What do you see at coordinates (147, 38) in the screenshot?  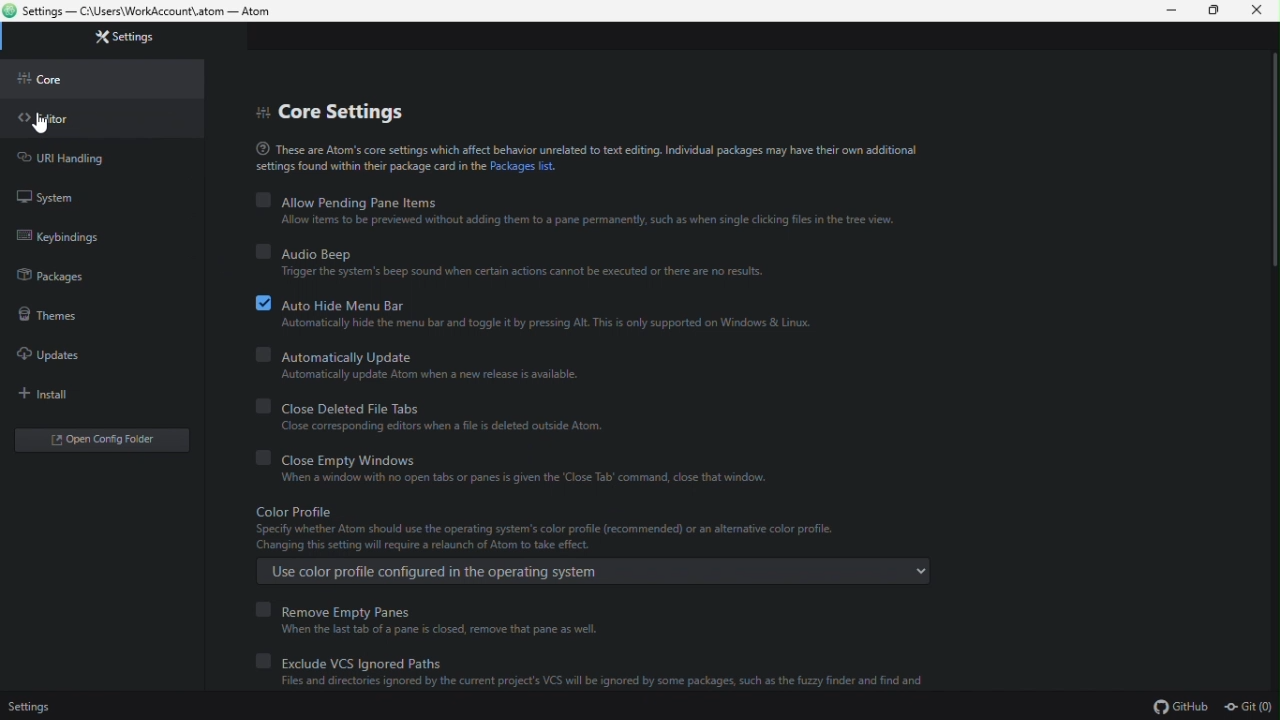 I see `Setting` at bounding box center [147, 38].